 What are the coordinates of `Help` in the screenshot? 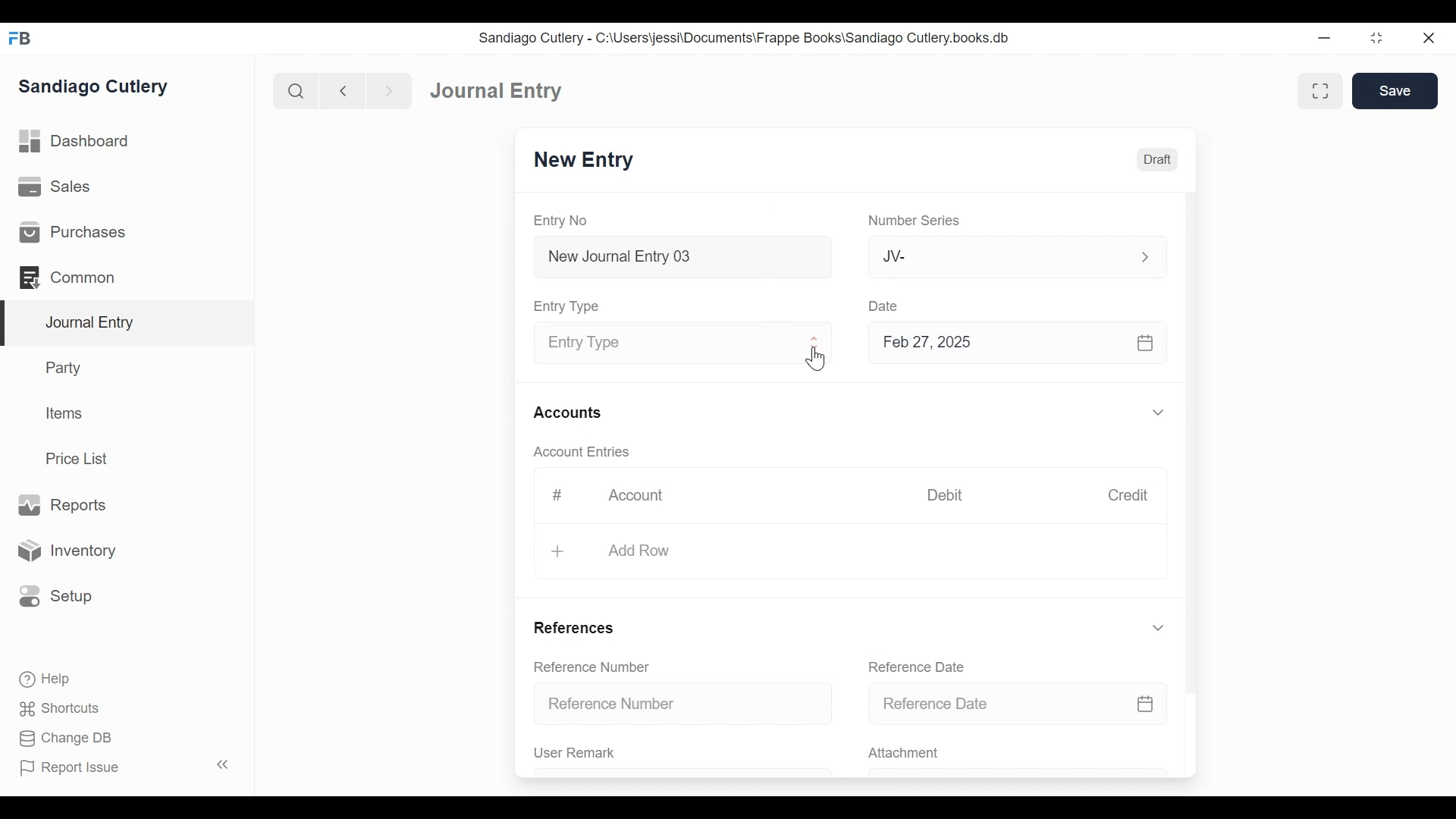 It's located at (46, 679).